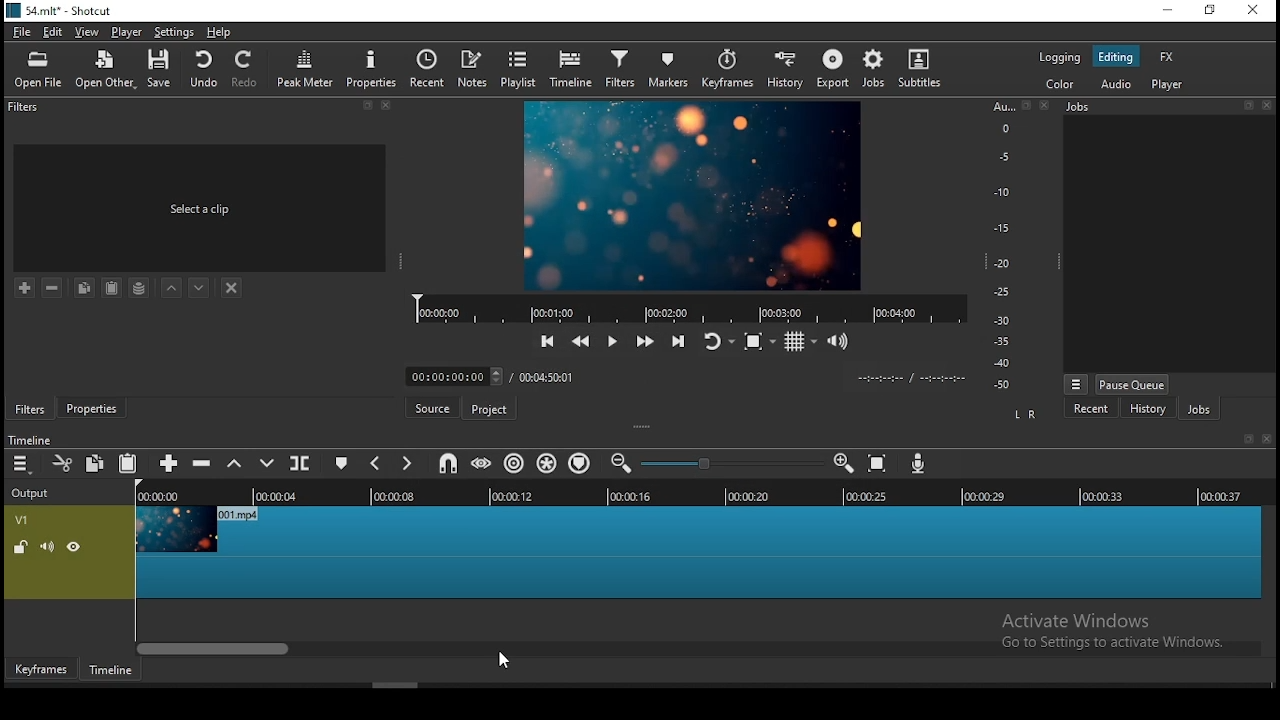  I want to click on toggle zoo, so click(759, 340).